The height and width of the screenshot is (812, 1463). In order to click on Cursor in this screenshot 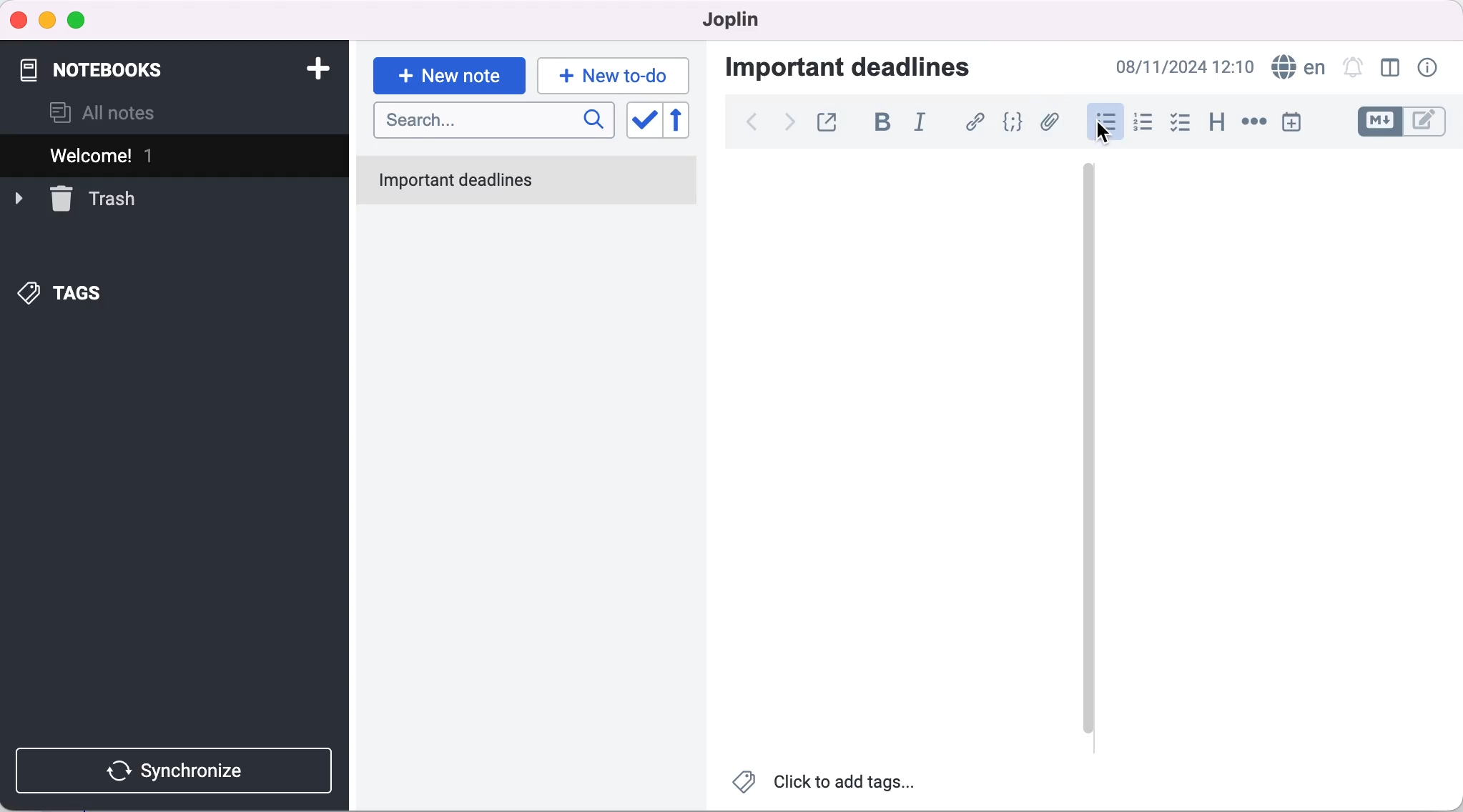, I will do `click(1100, 132)`.